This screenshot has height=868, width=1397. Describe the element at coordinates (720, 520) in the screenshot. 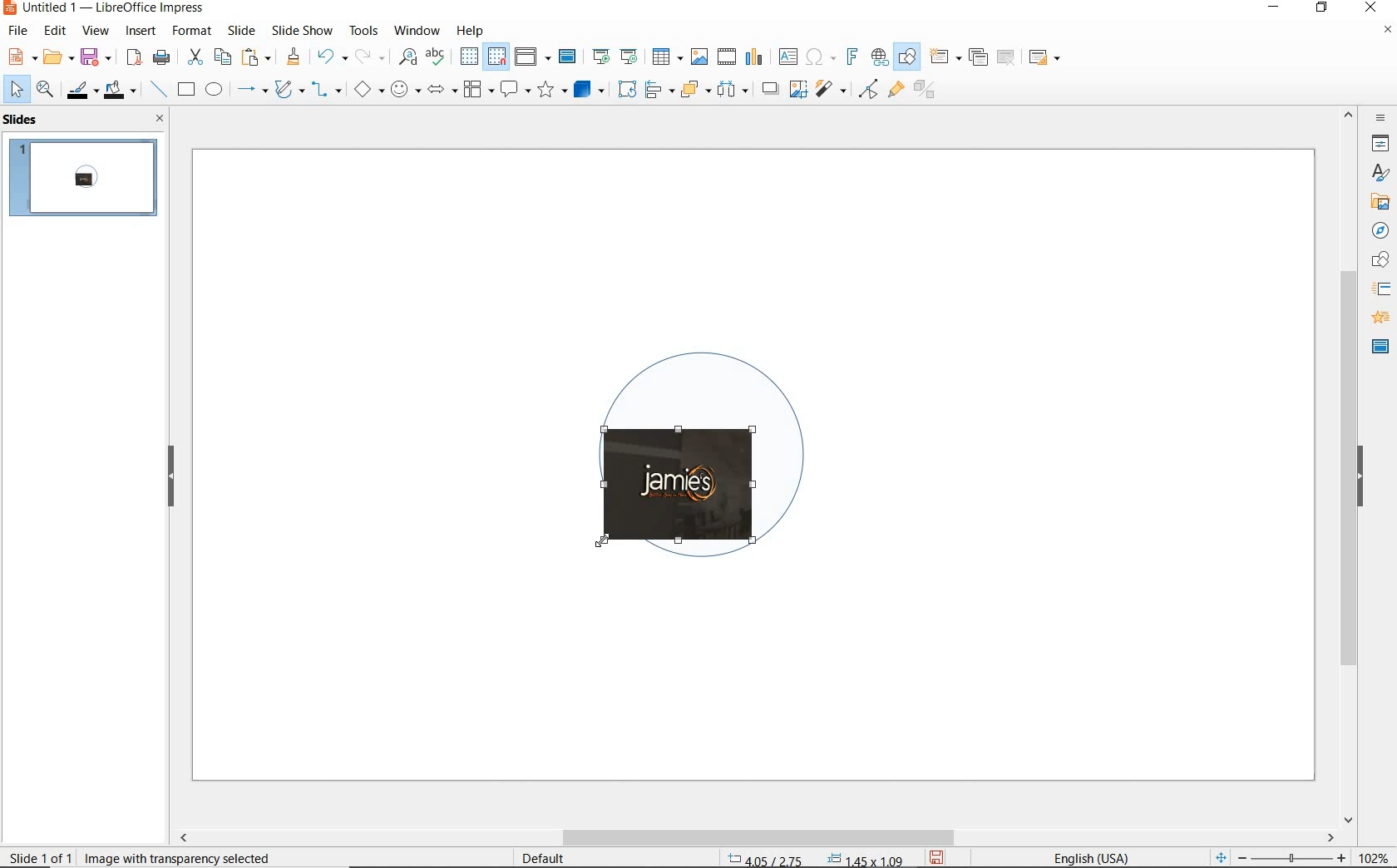

I see `image cropping` at that location.